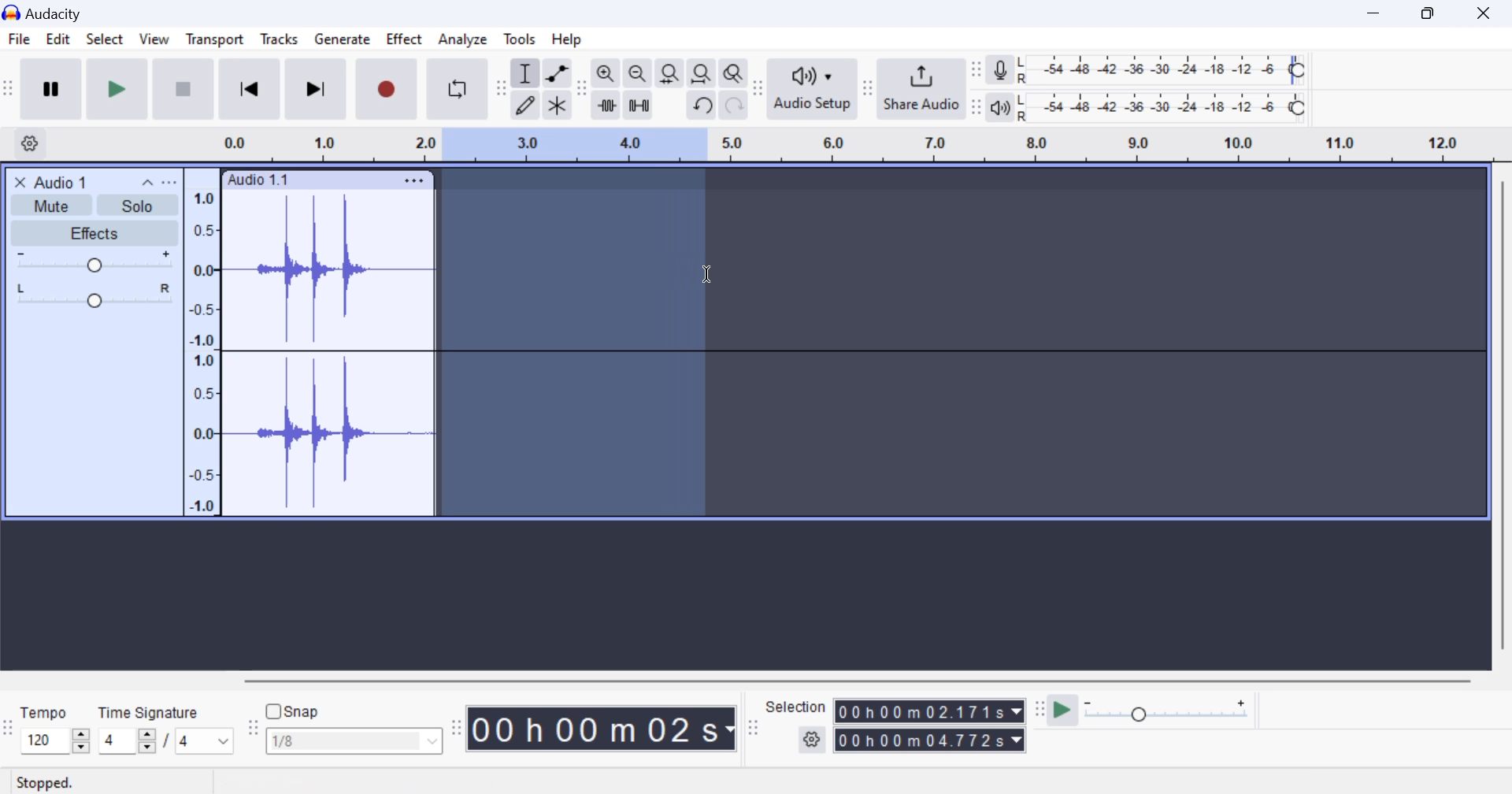 Image resolution: width=1512 pixels, height=794 pixels. I want to click on zoom in, so click(606, 74).